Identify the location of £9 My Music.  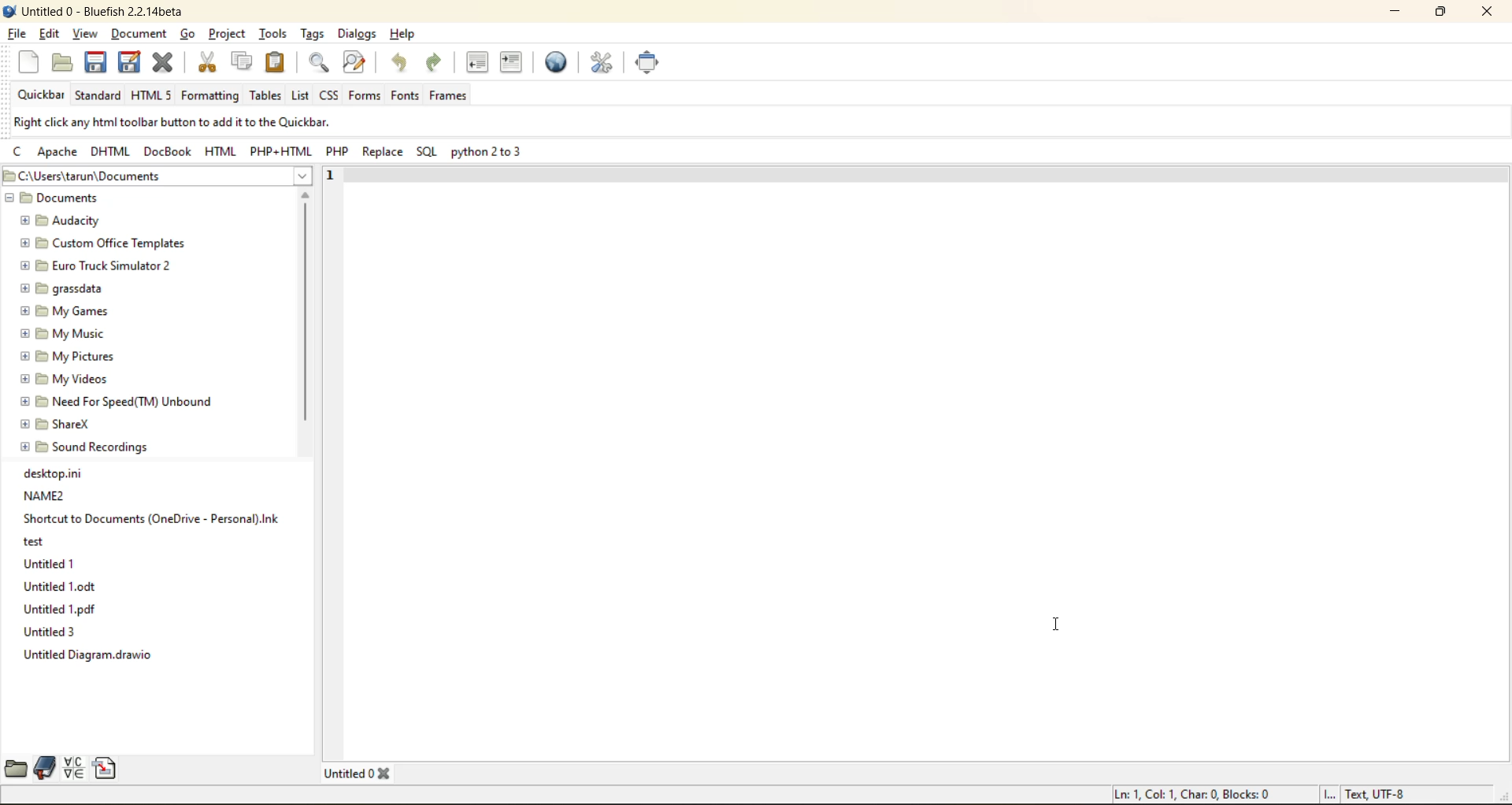
(62, 333).